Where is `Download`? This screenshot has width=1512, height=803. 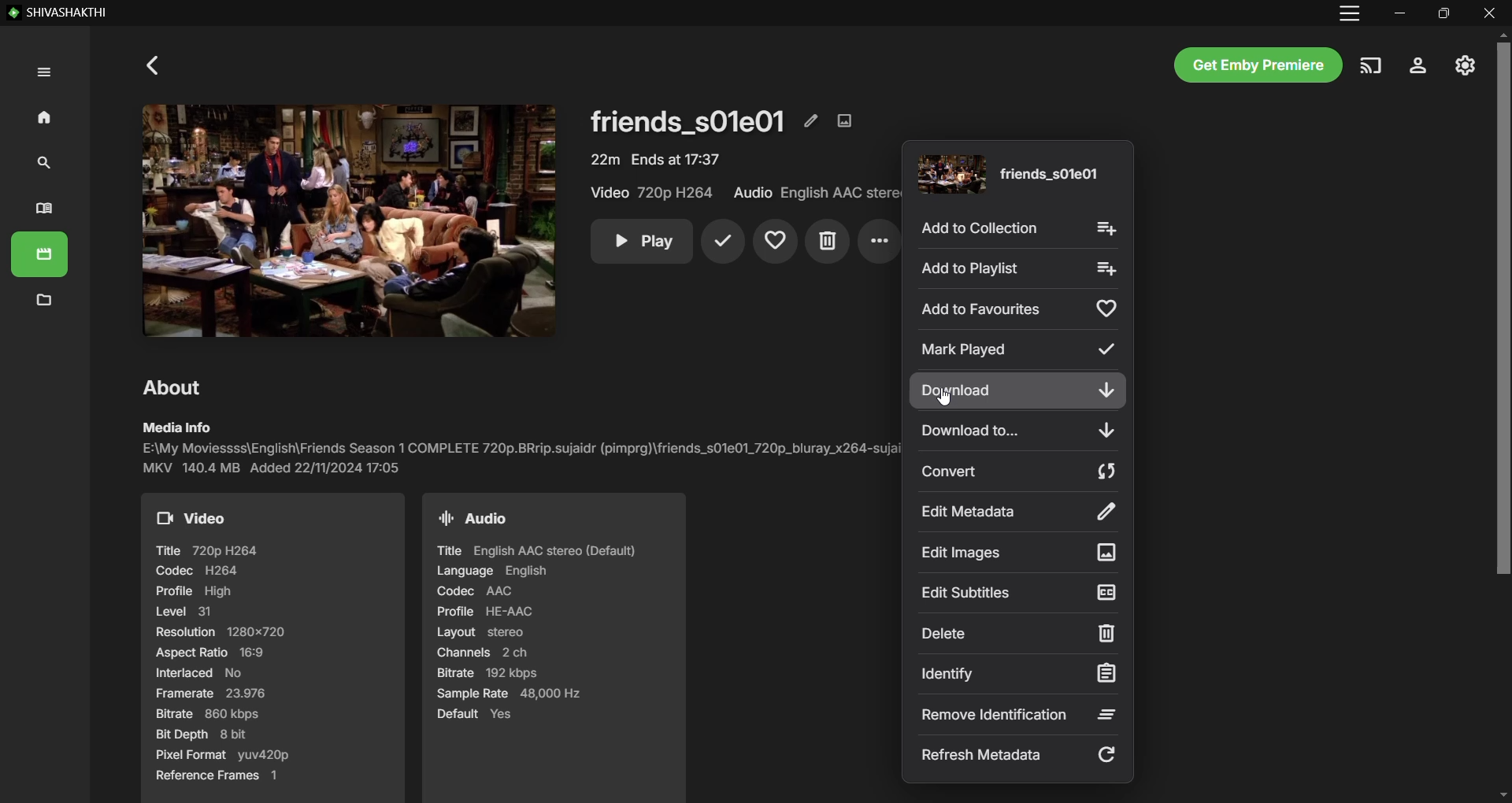
Download is located at coordinates (1018, 391).